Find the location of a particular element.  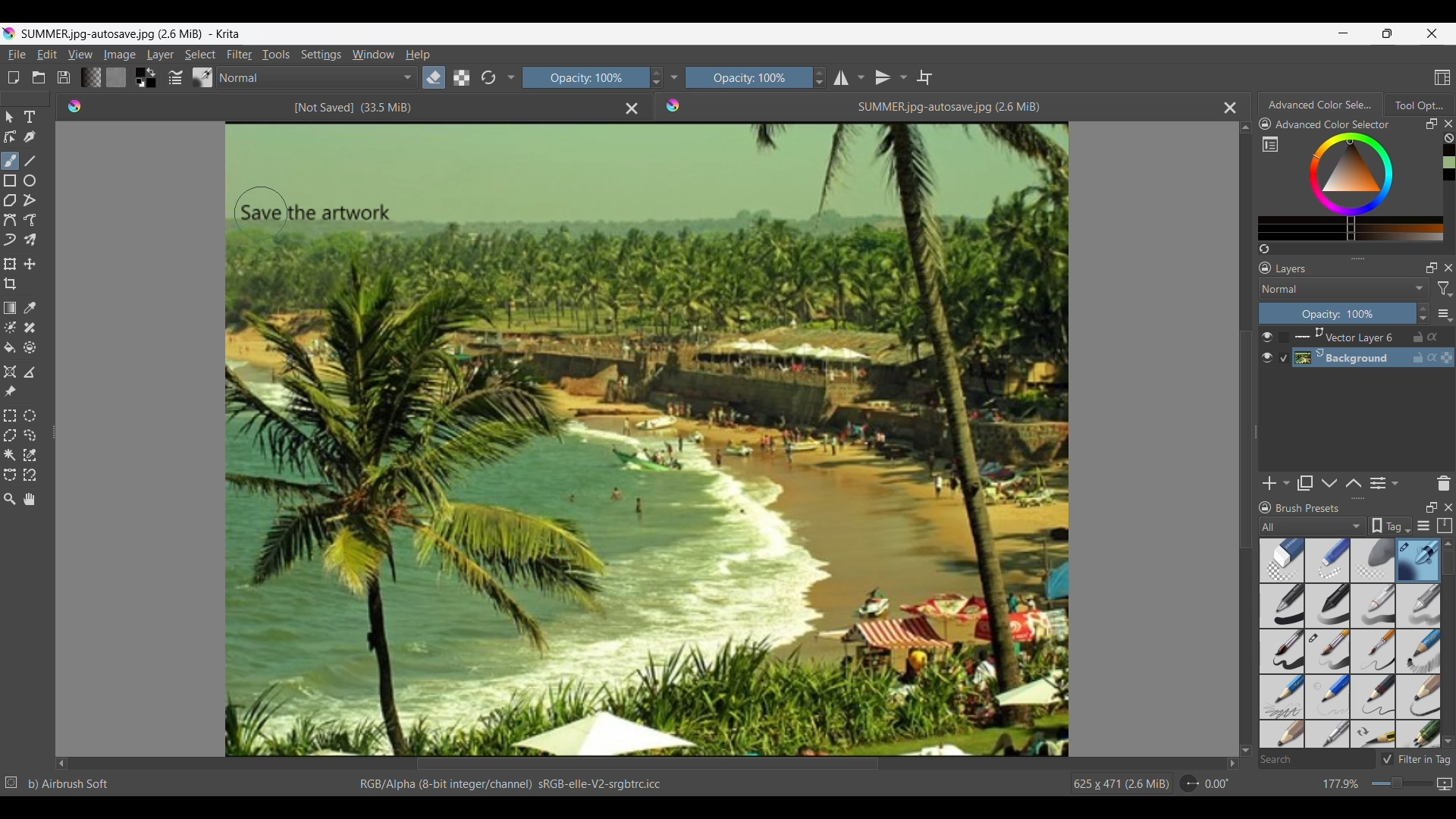

Help is located at coordinates (419, 55).